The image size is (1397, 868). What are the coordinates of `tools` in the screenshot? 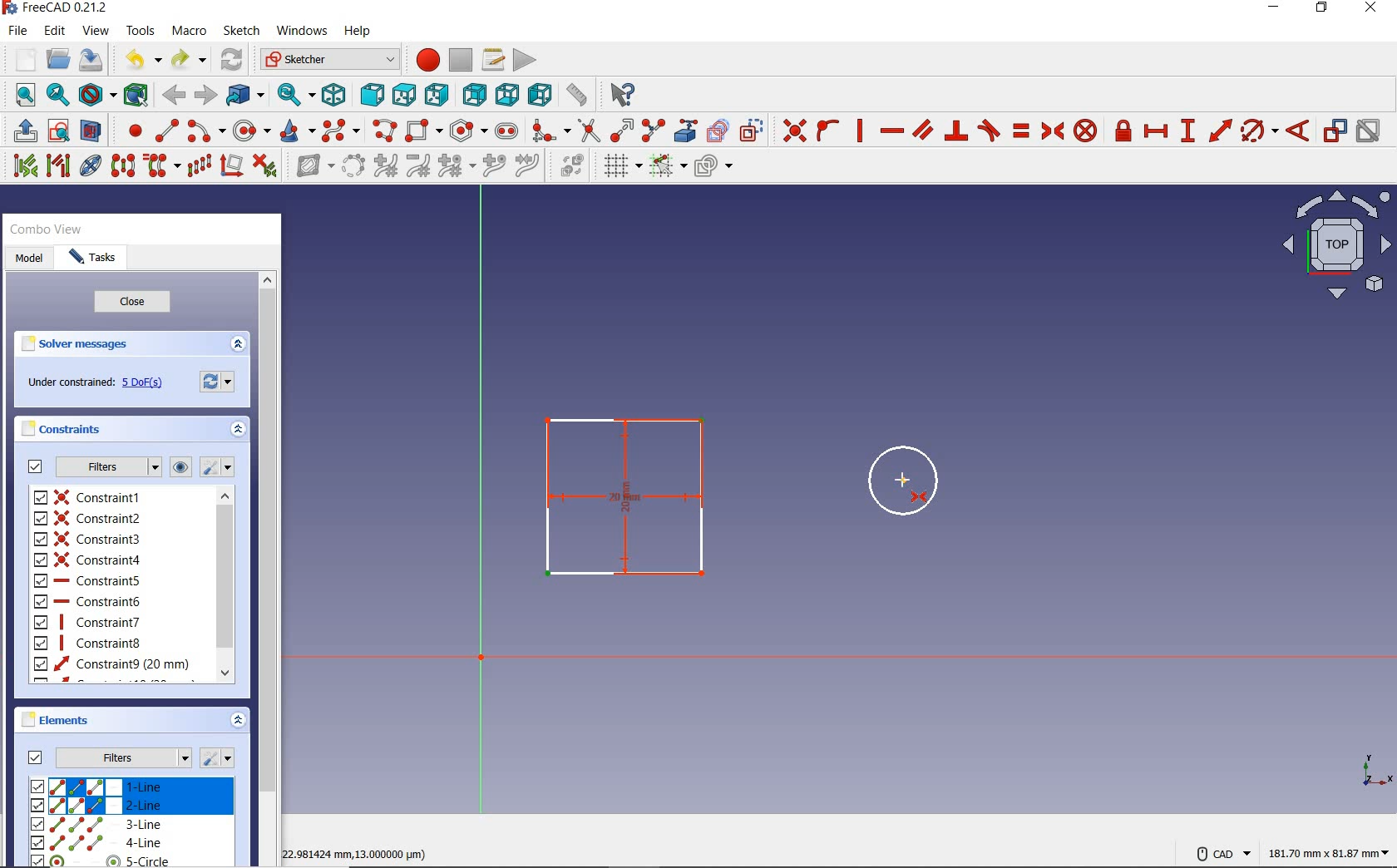 It's located at (141, 31).